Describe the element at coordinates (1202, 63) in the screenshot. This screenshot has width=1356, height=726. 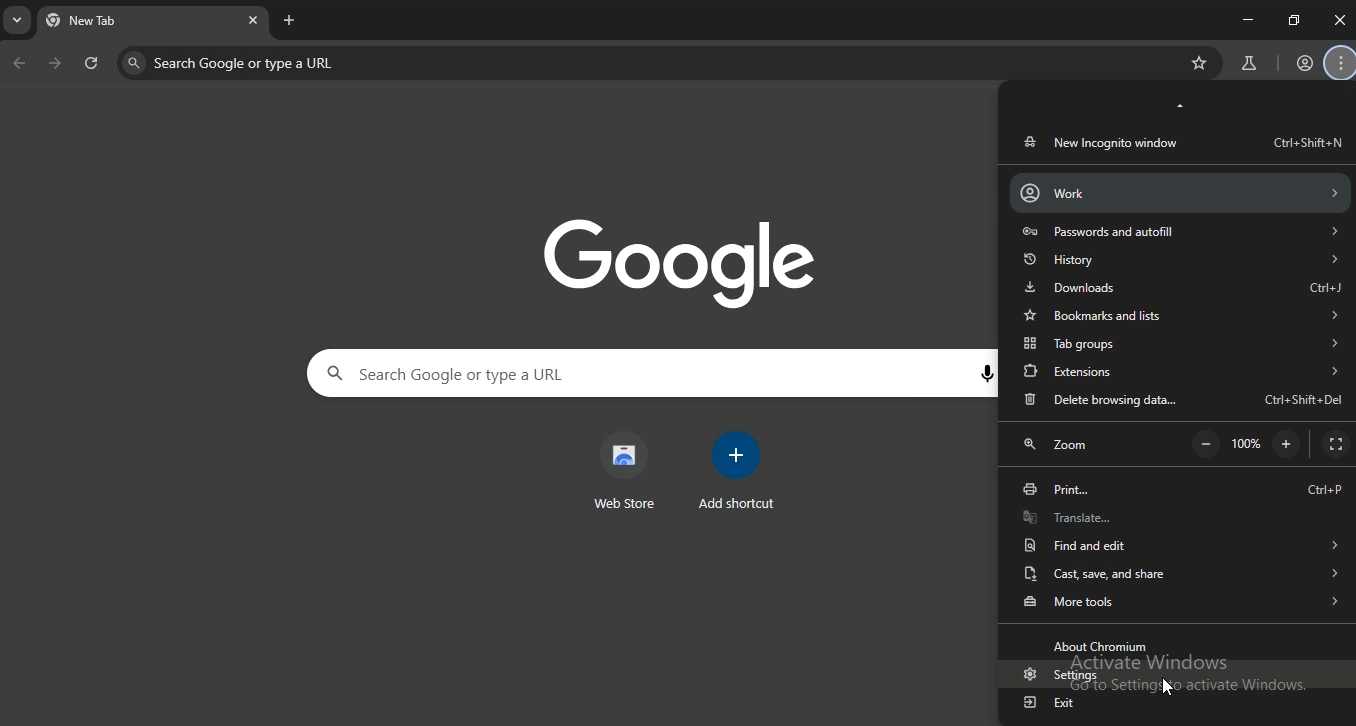
I see `bookmark this tab` at that location.